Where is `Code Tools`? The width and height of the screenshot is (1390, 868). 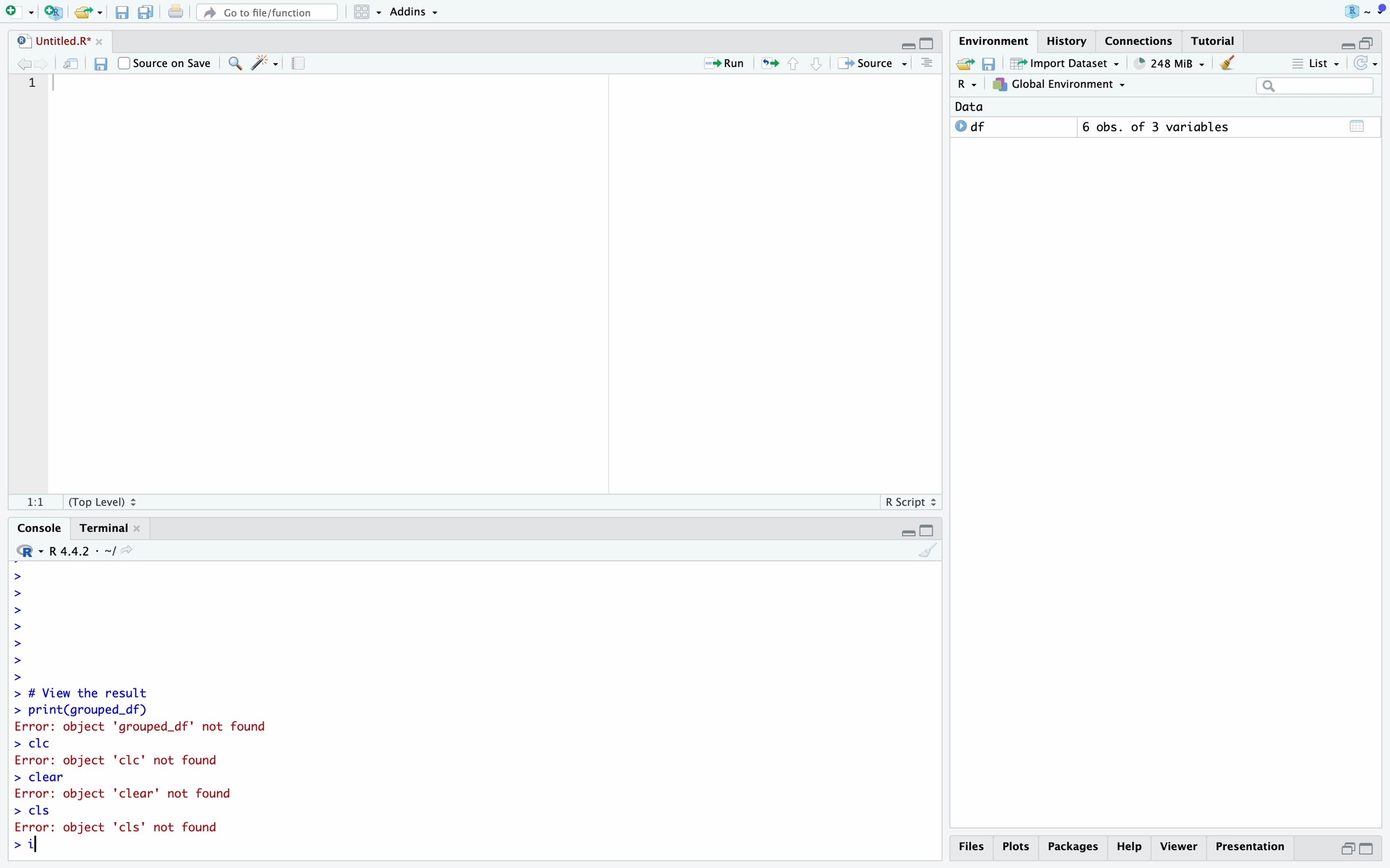 Code Tools is located at coordinates (265, 63).